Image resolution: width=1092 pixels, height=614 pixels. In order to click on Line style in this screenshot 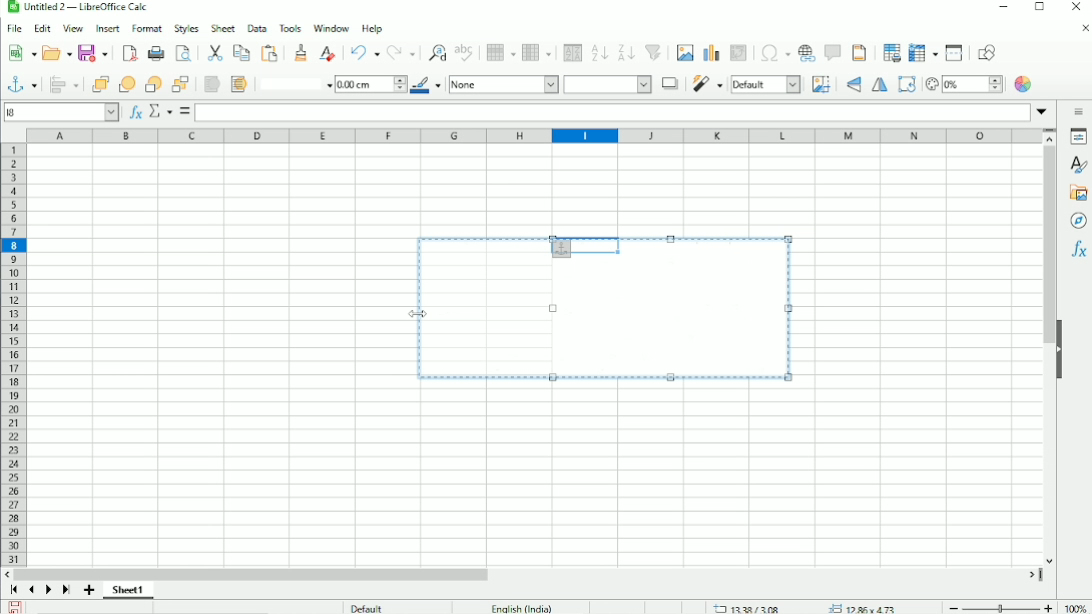, I will do `click(293, 83)`.